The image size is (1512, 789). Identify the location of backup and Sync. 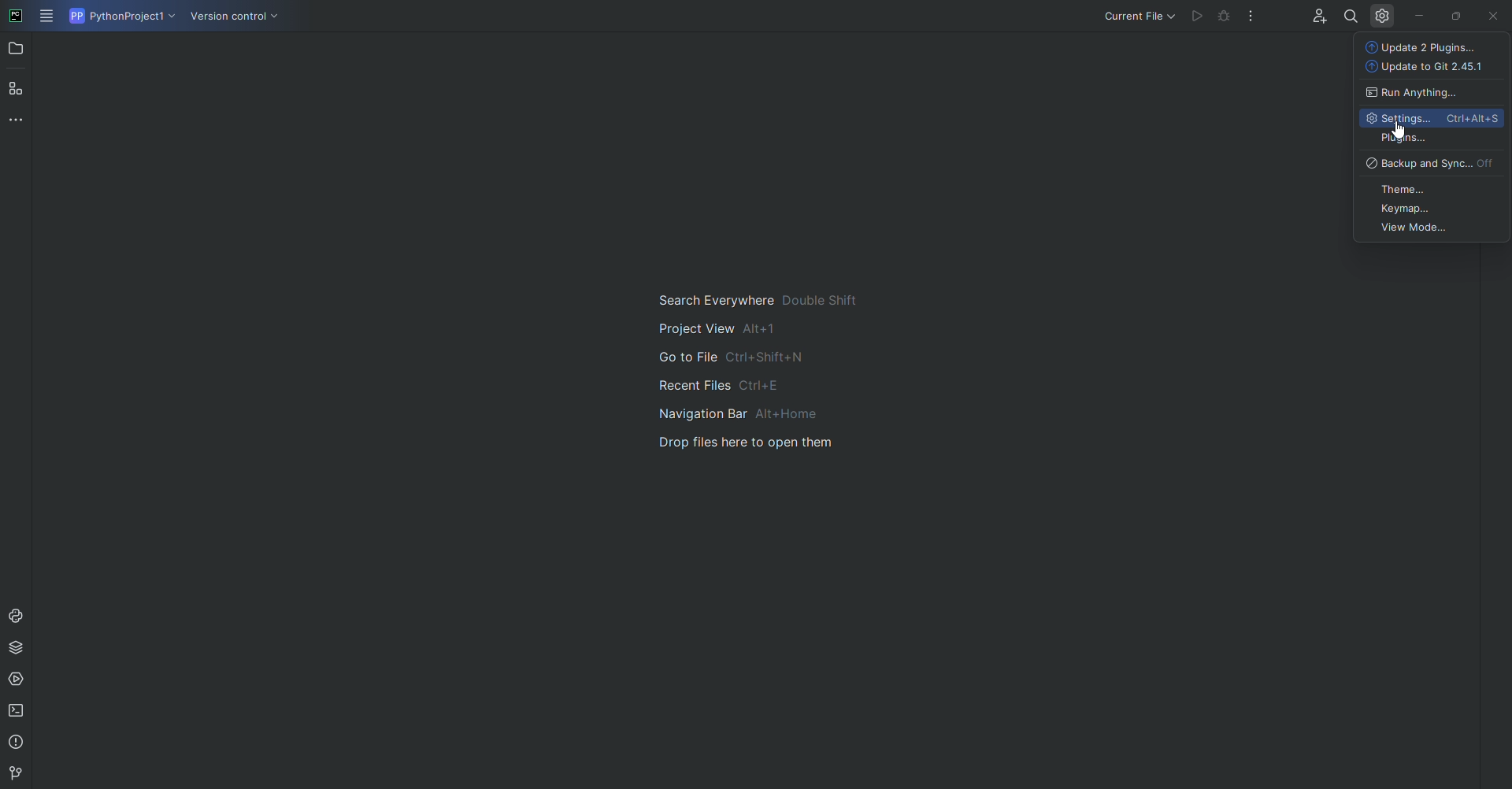
(1408, 162).